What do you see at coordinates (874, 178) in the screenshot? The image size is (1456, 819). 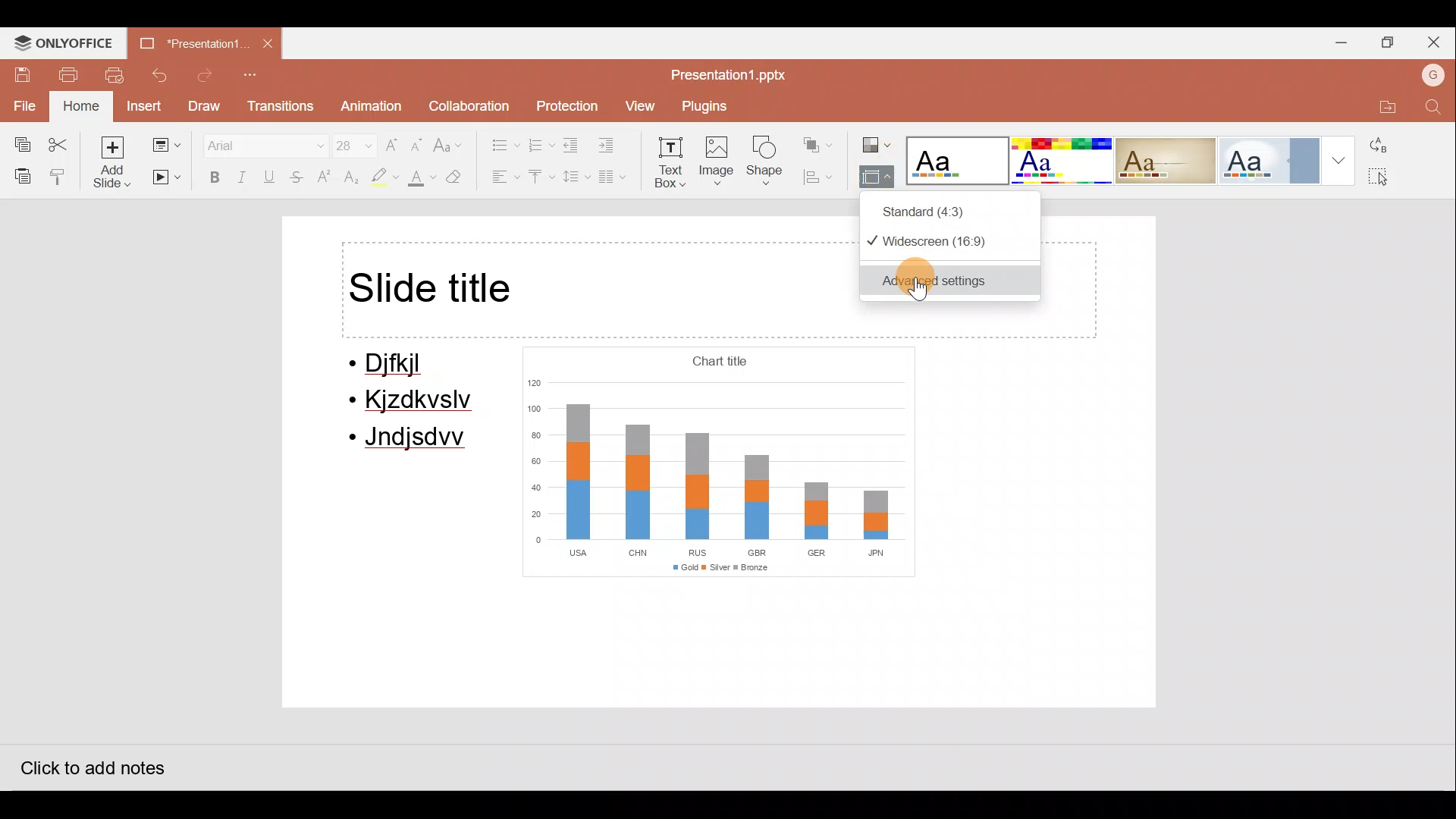 I see `Select slide size` at bounding box center [874, 178].